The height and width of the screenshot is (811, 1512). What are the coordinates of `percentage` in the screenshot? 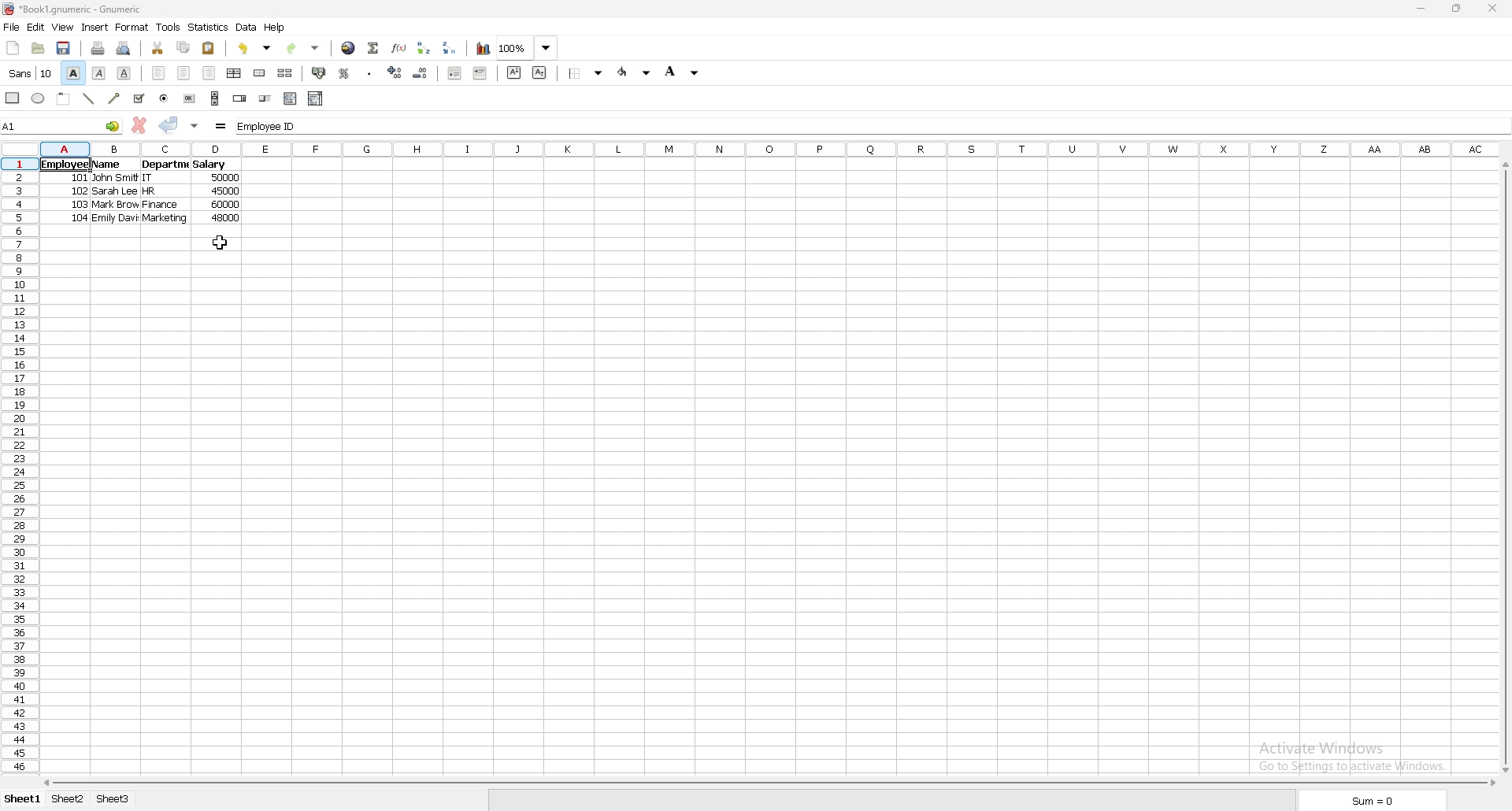 It's located at (345, 72).